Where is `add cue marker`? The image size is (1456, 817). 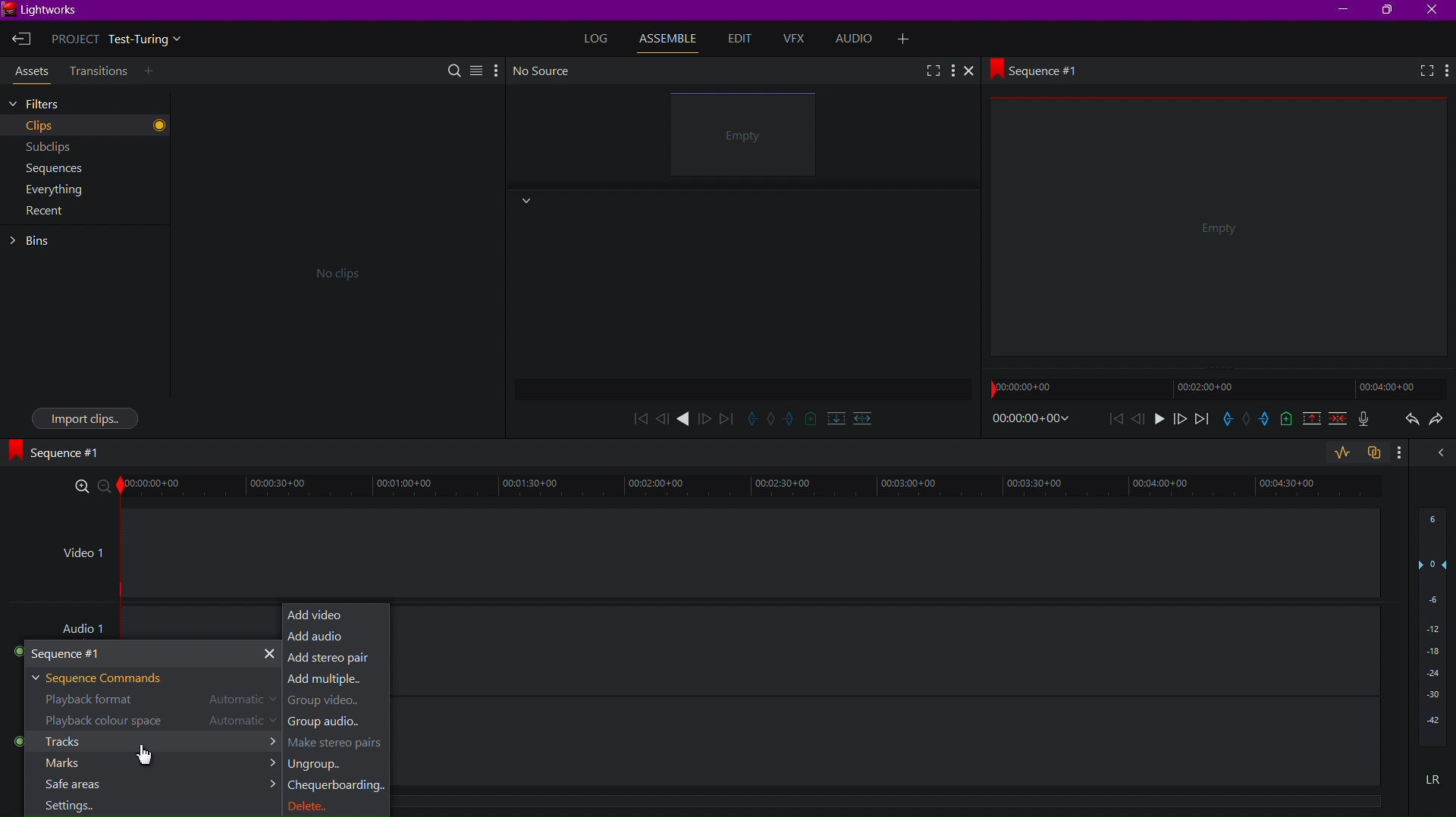
add cue marker is located at coordinates (811, 418).